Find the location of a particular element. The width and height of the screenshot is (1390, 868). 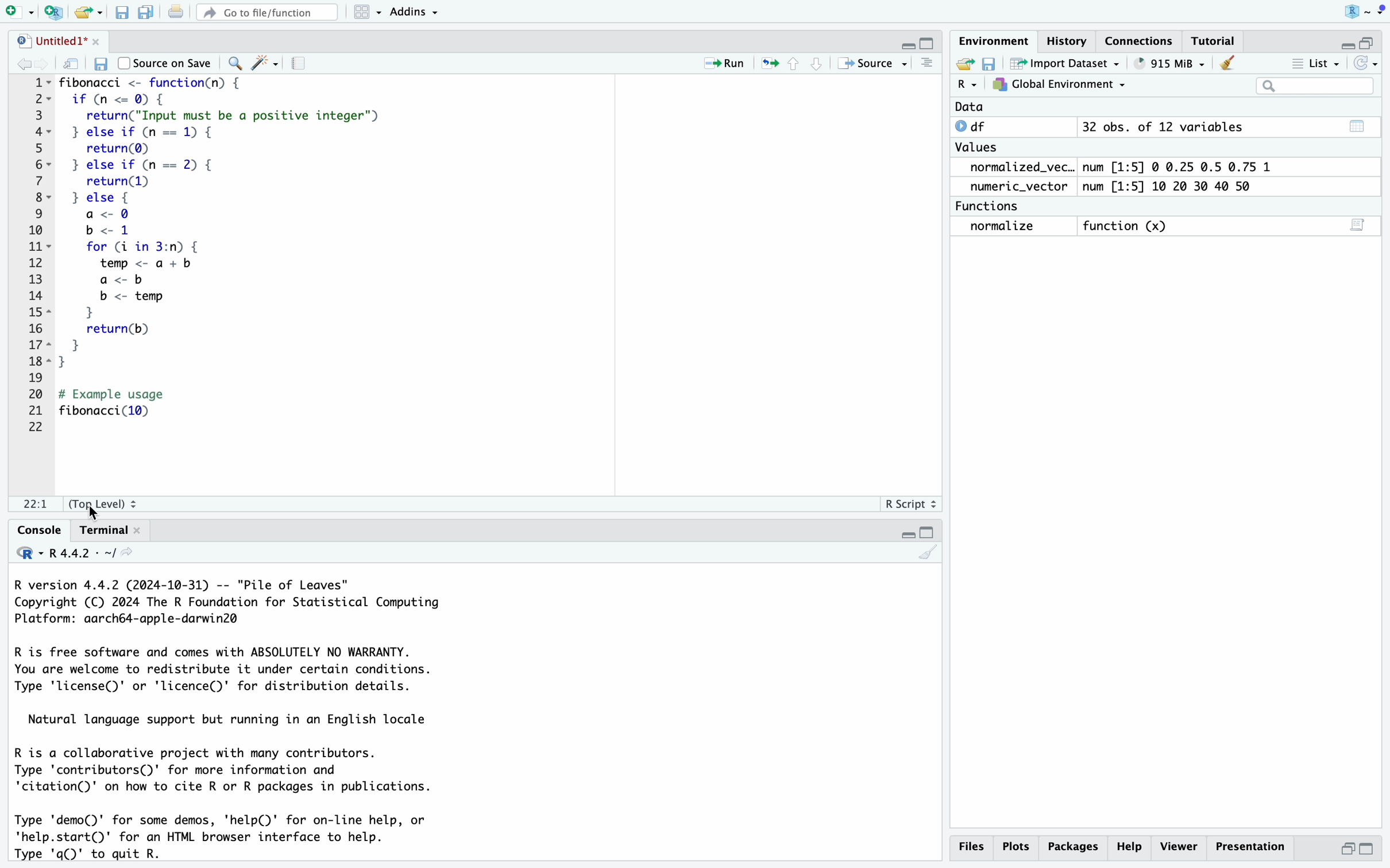

source is located at coordinates (872, 63).